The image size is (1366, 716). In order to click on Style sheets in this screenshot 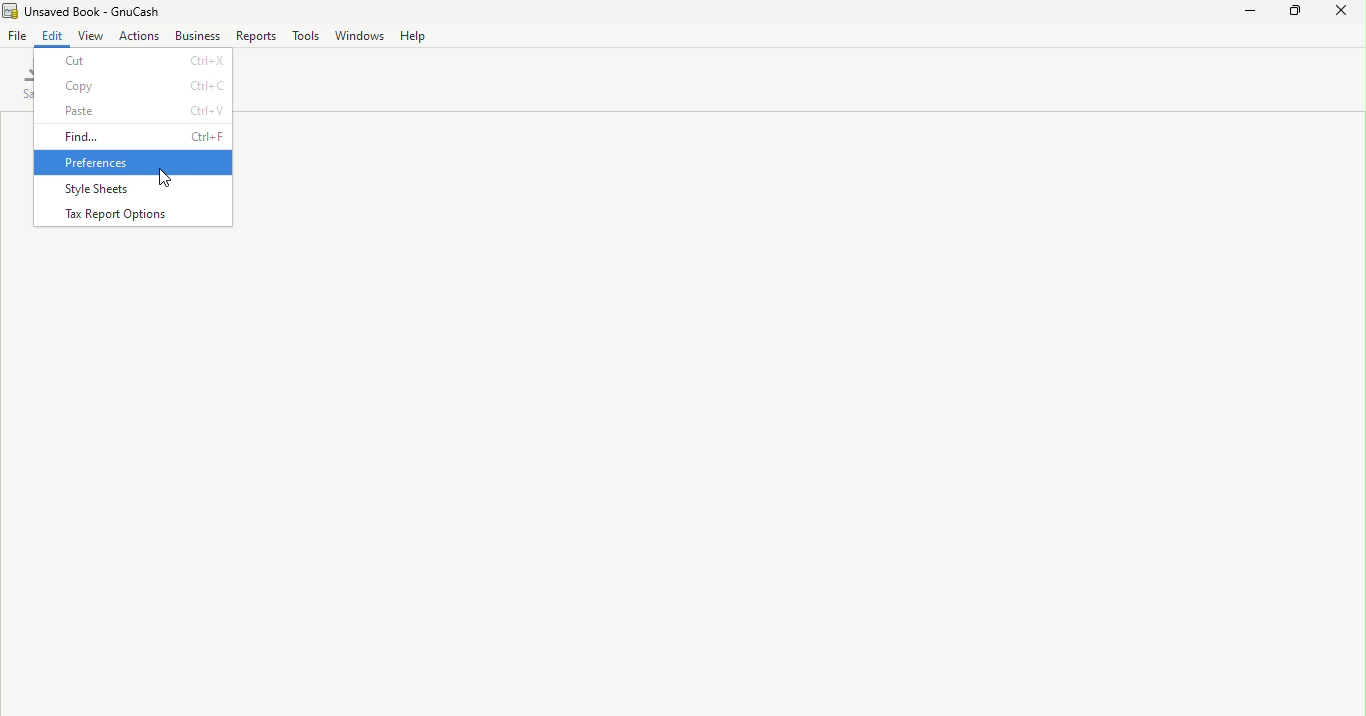, I will do `click(135, 186)`.